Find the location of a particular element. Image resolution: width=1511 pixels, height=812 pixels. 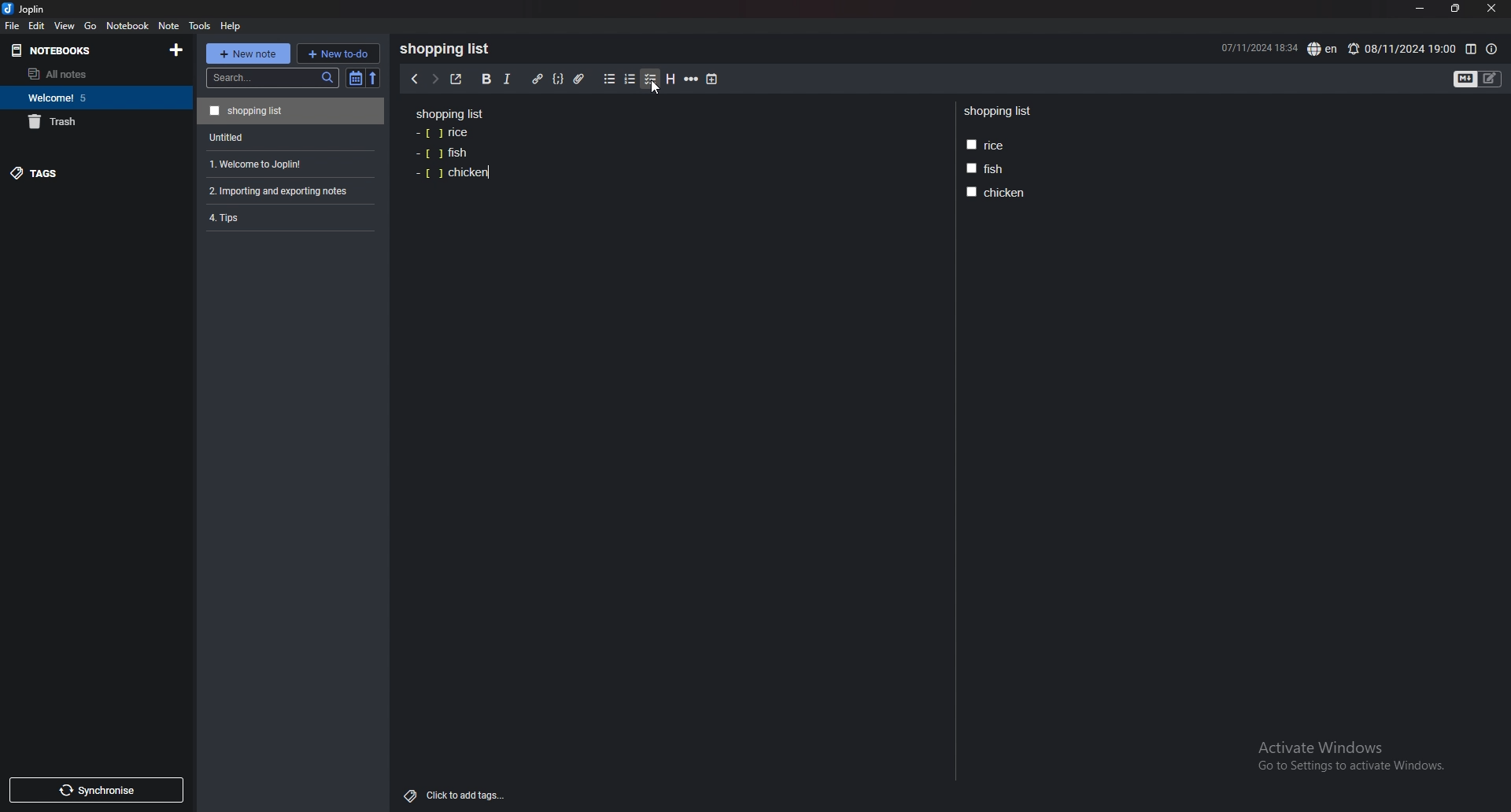

 08/11/2024 19:00 is located at coordinates (1401, 49).